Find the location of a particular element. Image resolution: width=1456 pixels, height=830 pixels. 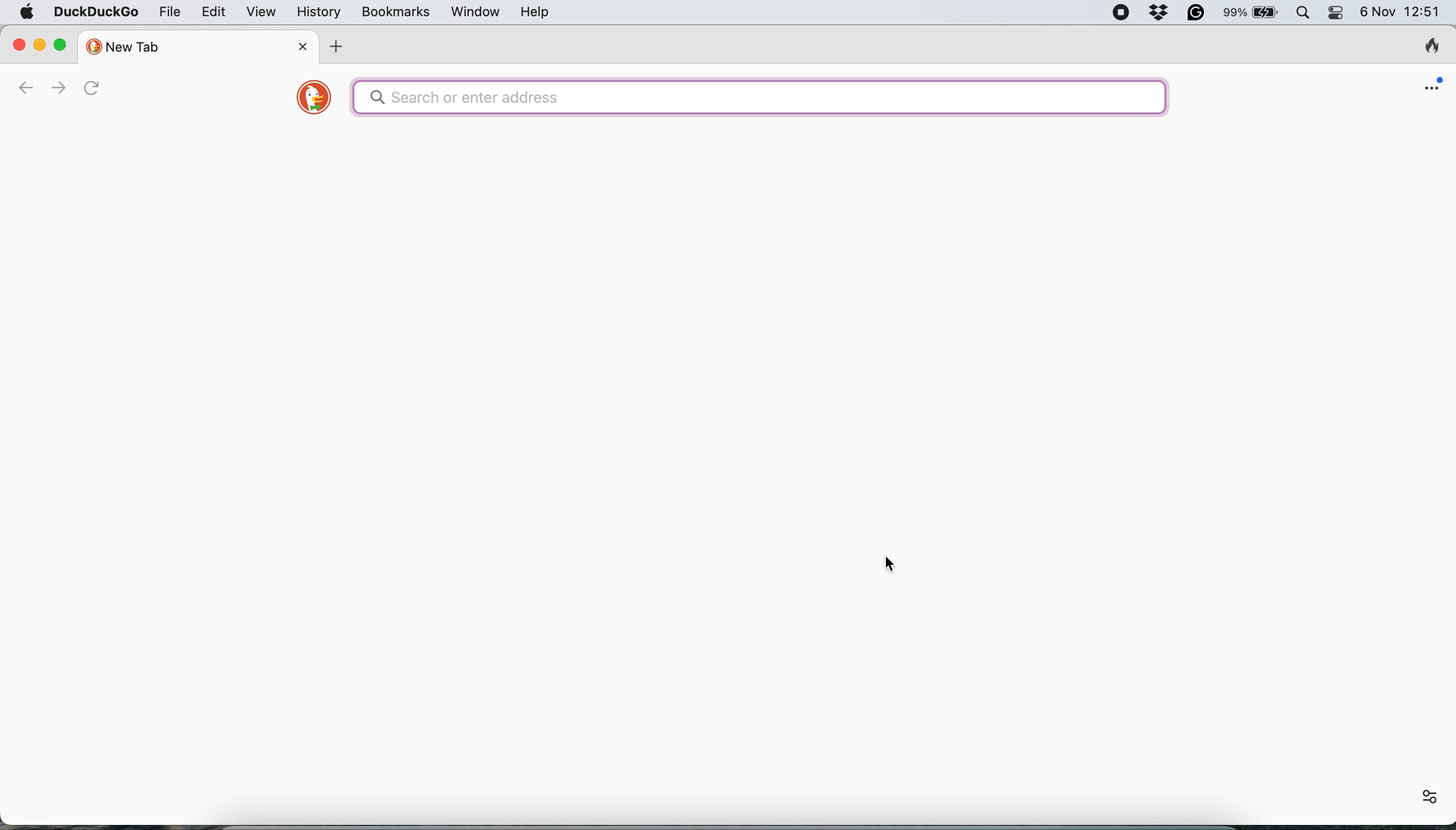

bookmarks is located at coordinates (396, 13).